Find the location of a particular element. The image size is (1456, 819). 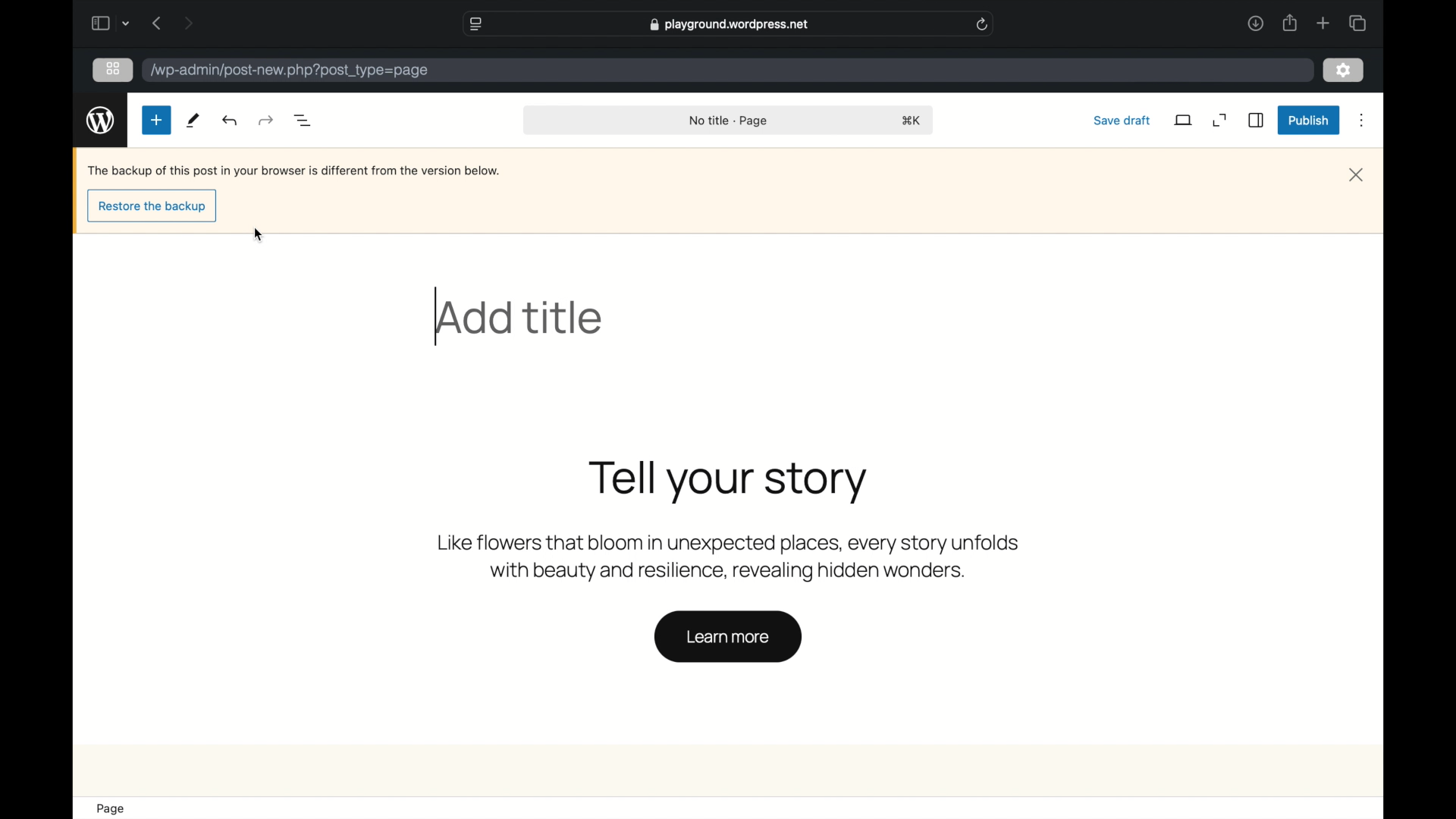

grid is located at coordinates (115, 68).